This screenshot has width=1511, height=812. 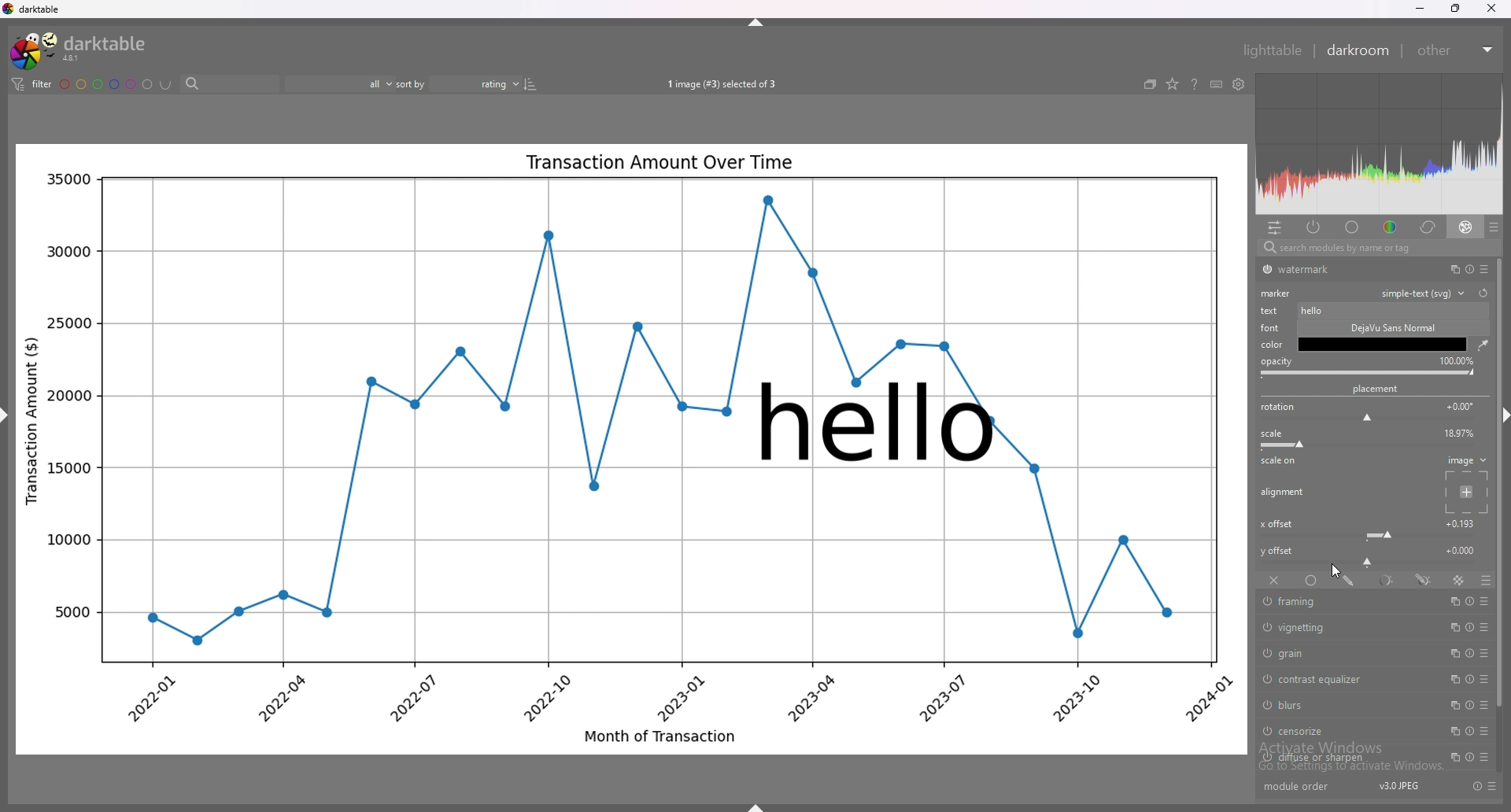 What do you see at coordinates (1453, 705) in the screenshot?
I see `multiple instances action` at bounding box center [1453, 705].